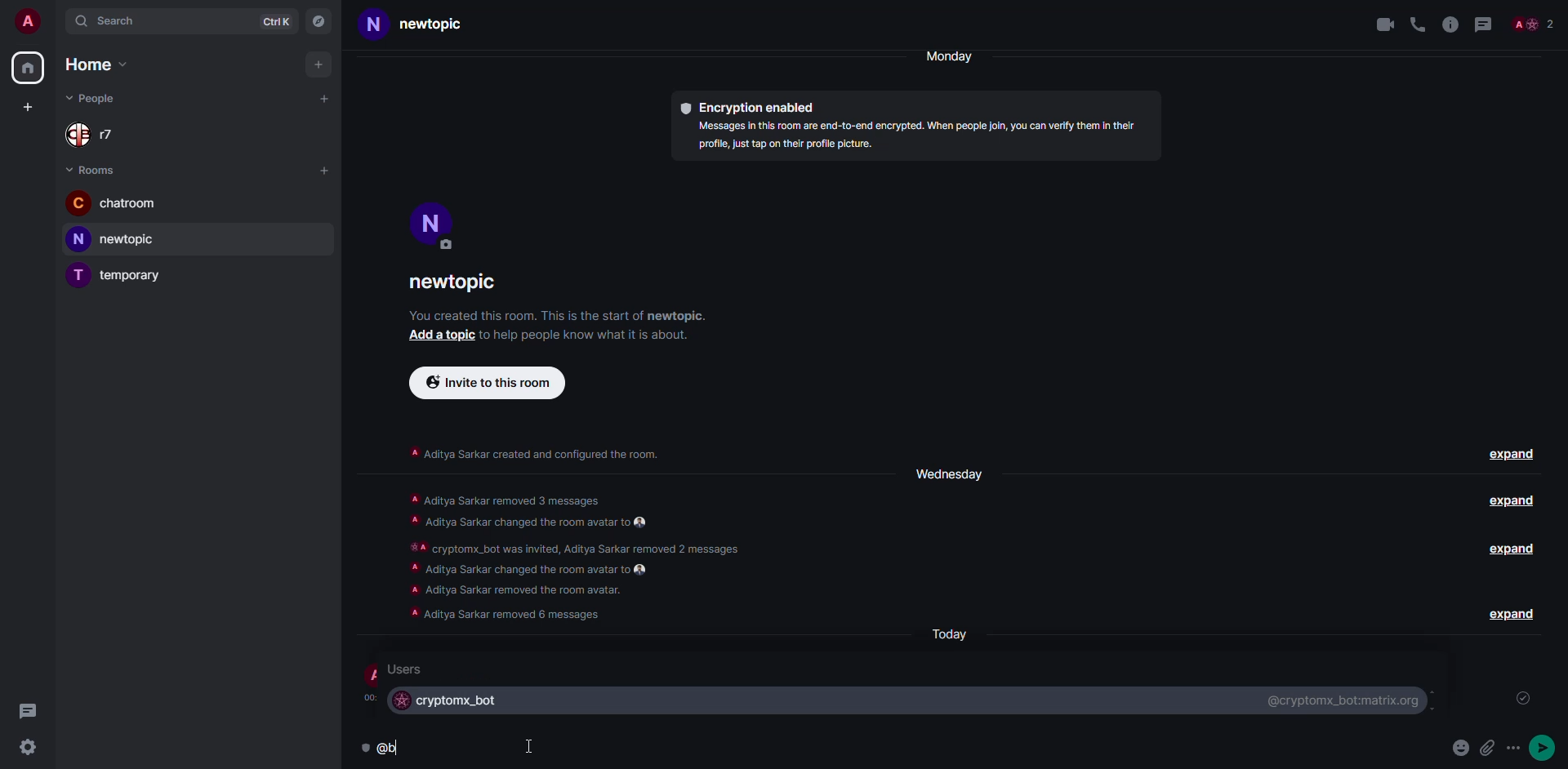  What do you see at coordinates (946, 473) in the screenshot?
I see `day` at bounding box center [946, 473].